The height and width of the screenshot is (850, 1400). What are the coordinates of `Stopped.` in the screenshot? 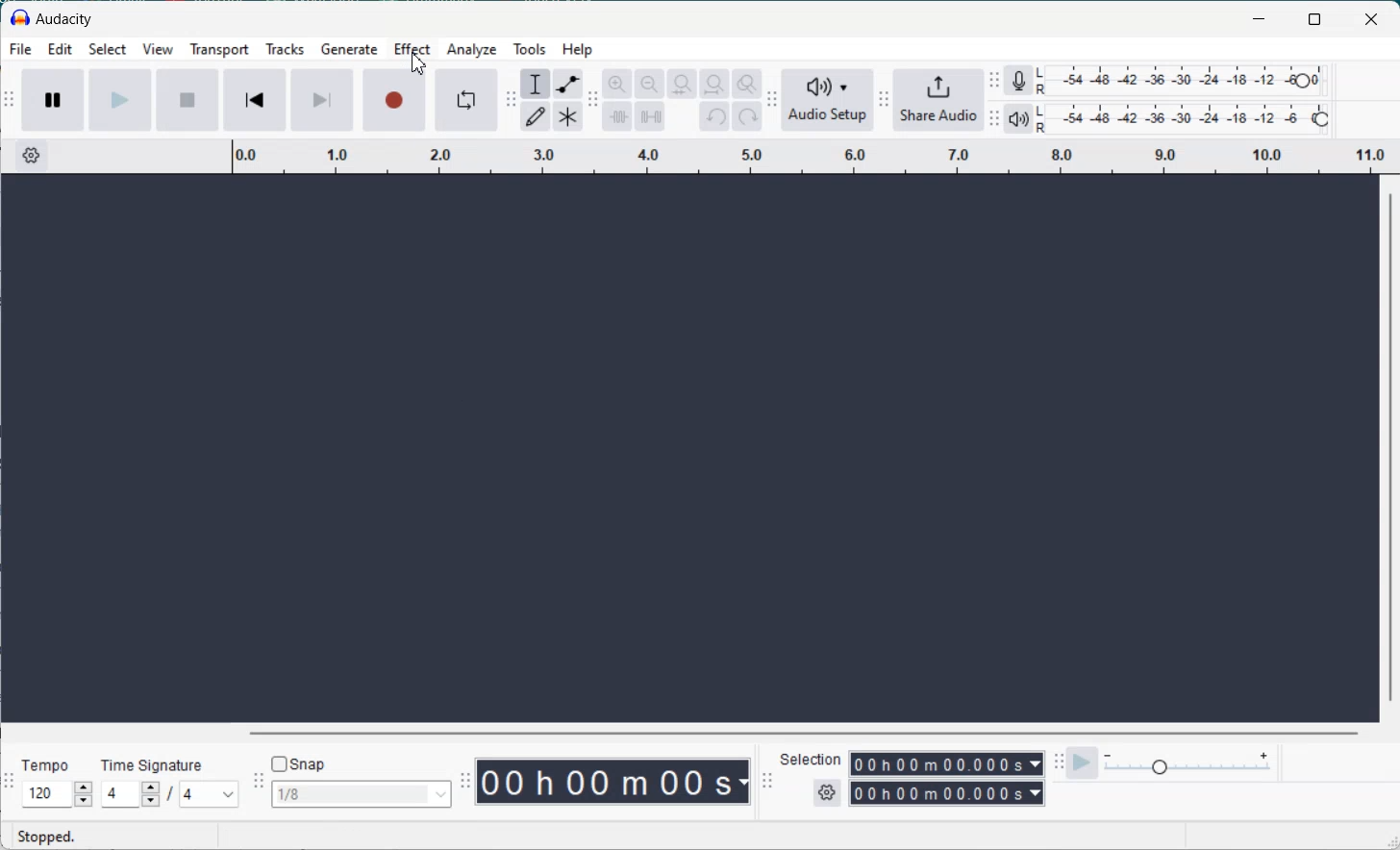 It's located at (50, 837).